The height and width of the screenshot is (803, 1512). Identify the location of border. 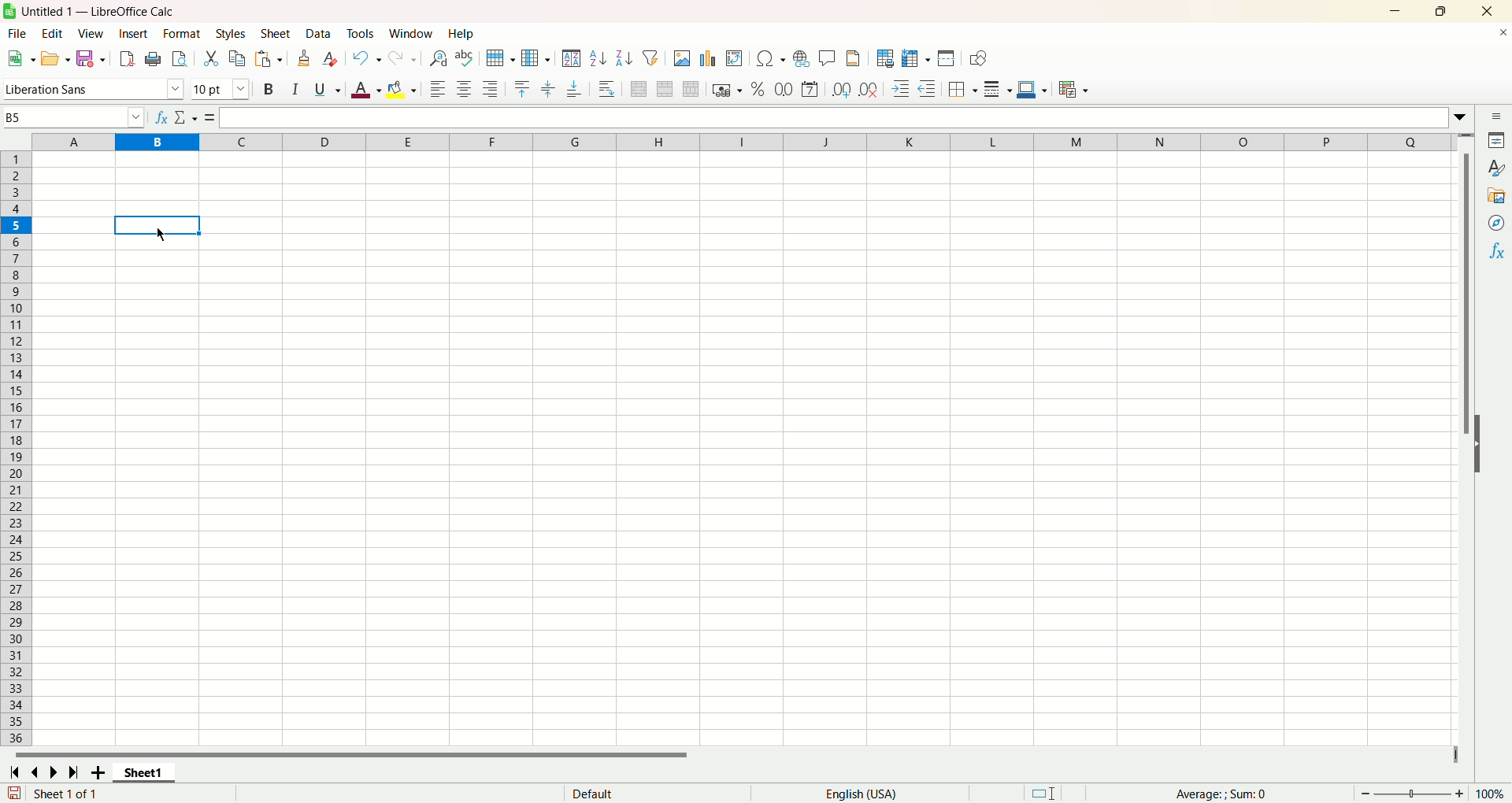
(963, 91).